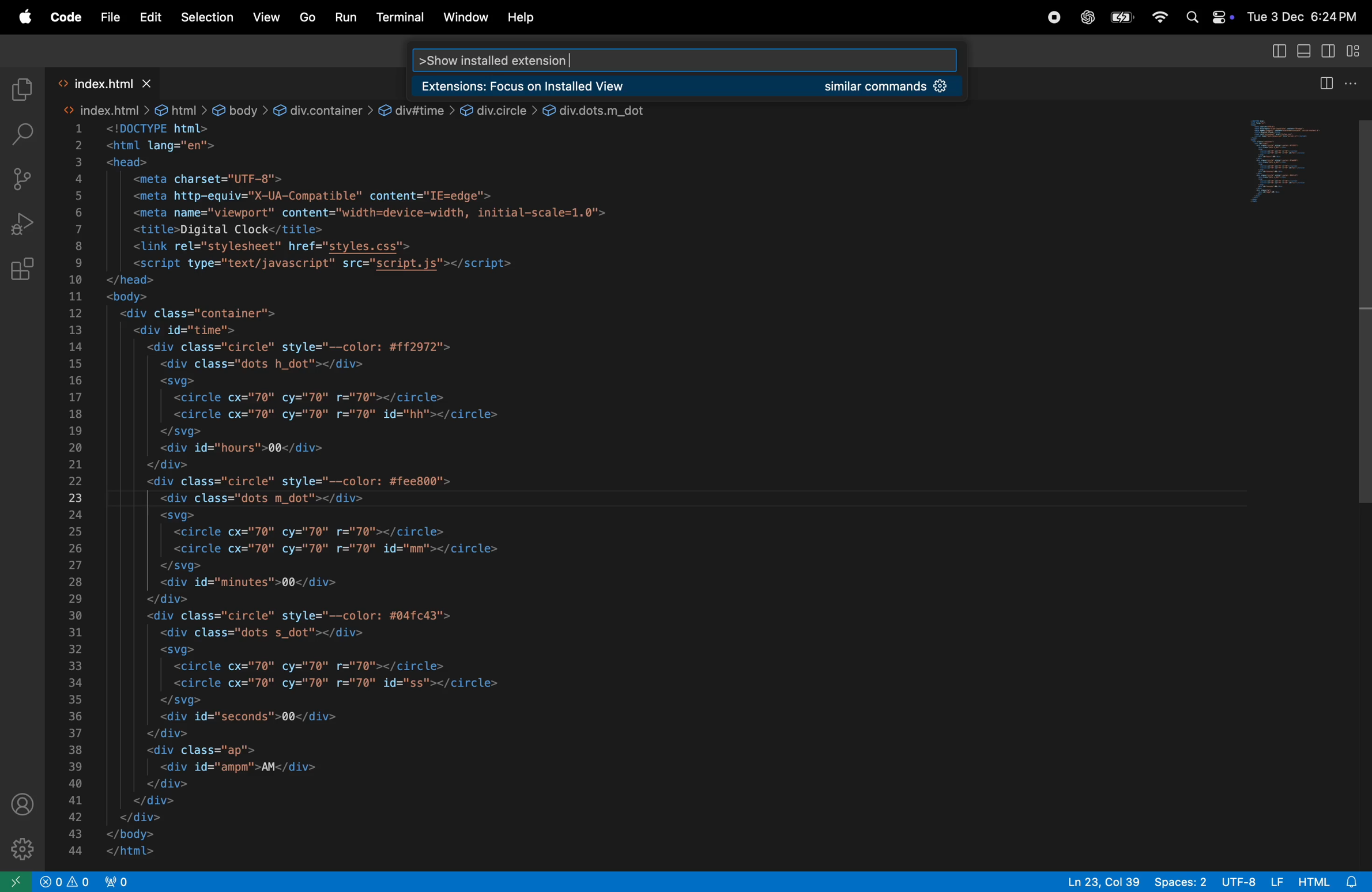  Describe the element at coordinates (598, 108) in the screenshot. I see `div.dots.m_dot` at that location.